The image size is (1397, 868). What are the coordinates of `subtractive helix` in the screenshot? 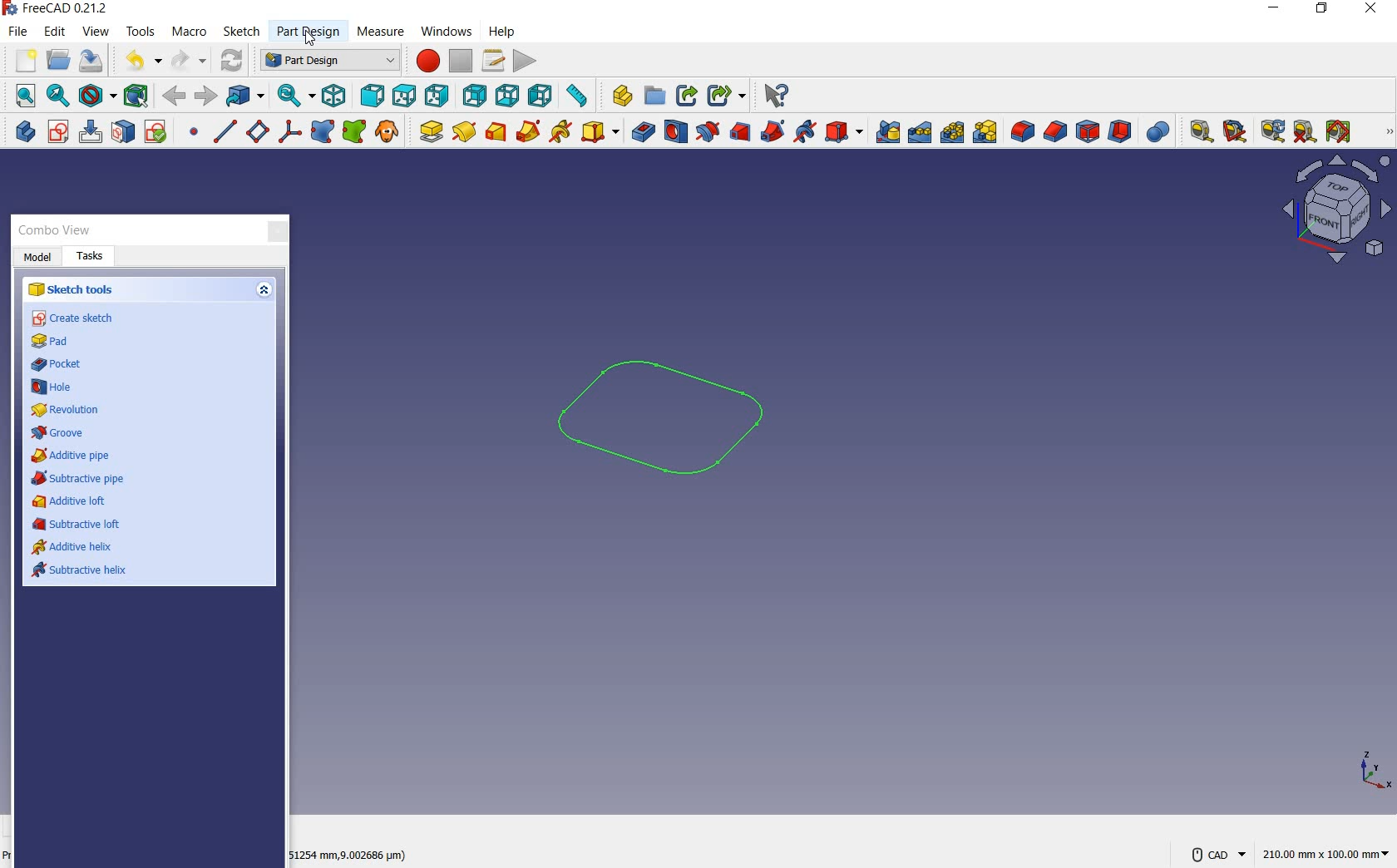 It's located at (83, 571).